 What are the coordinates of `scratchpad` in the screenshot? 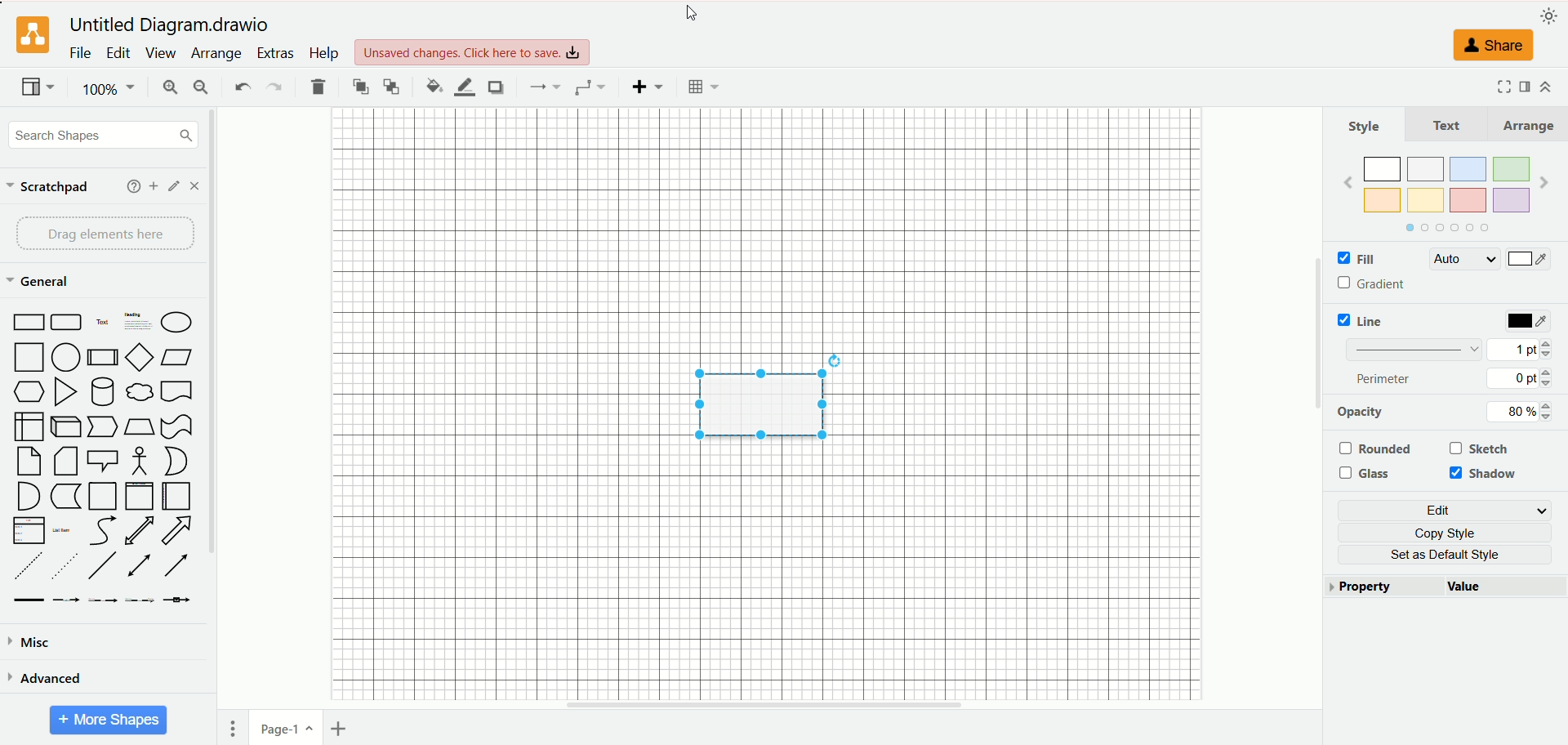 It's located at (48, 188).